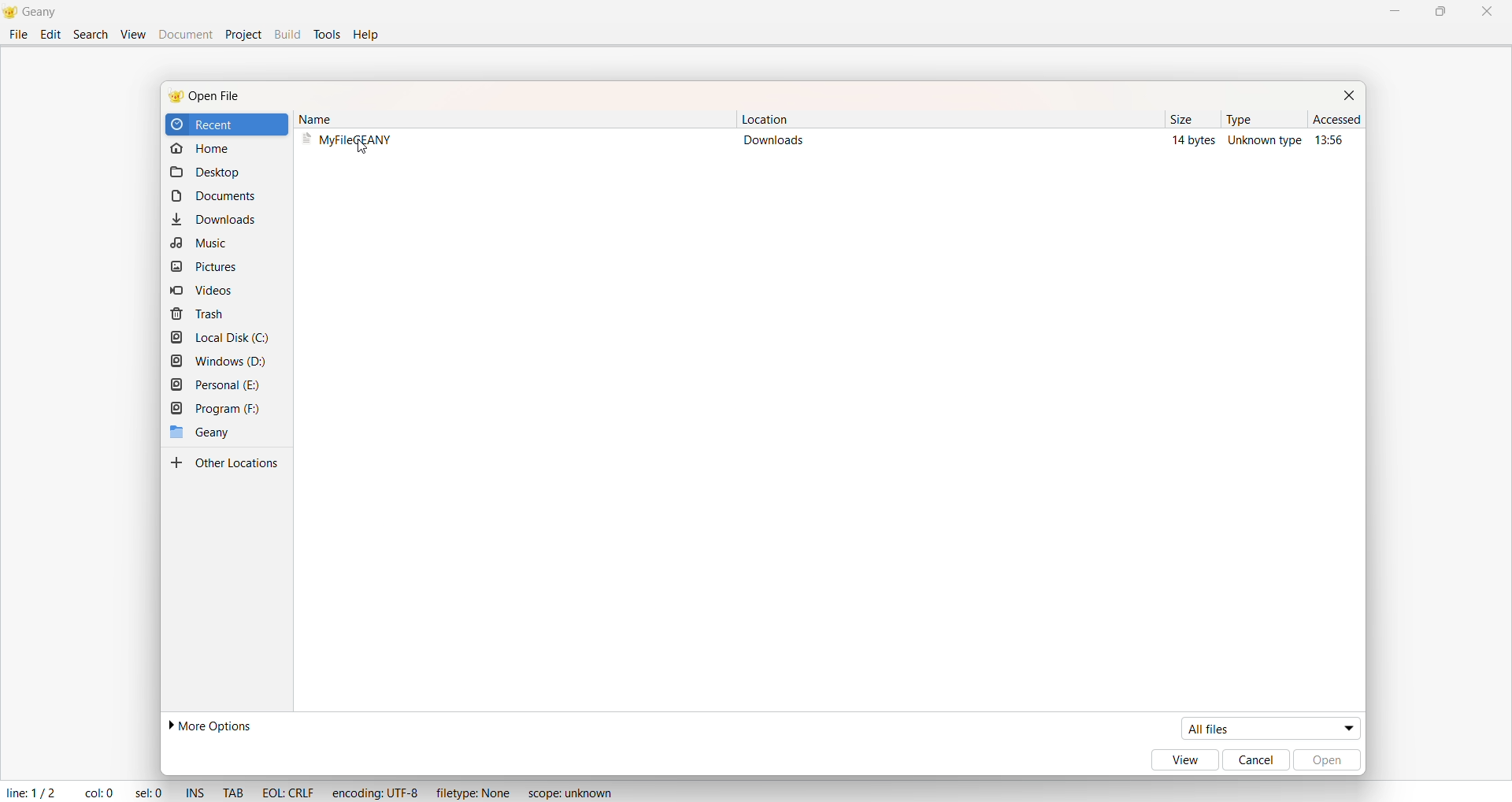  I want to click on pictures, so click(205, 267).